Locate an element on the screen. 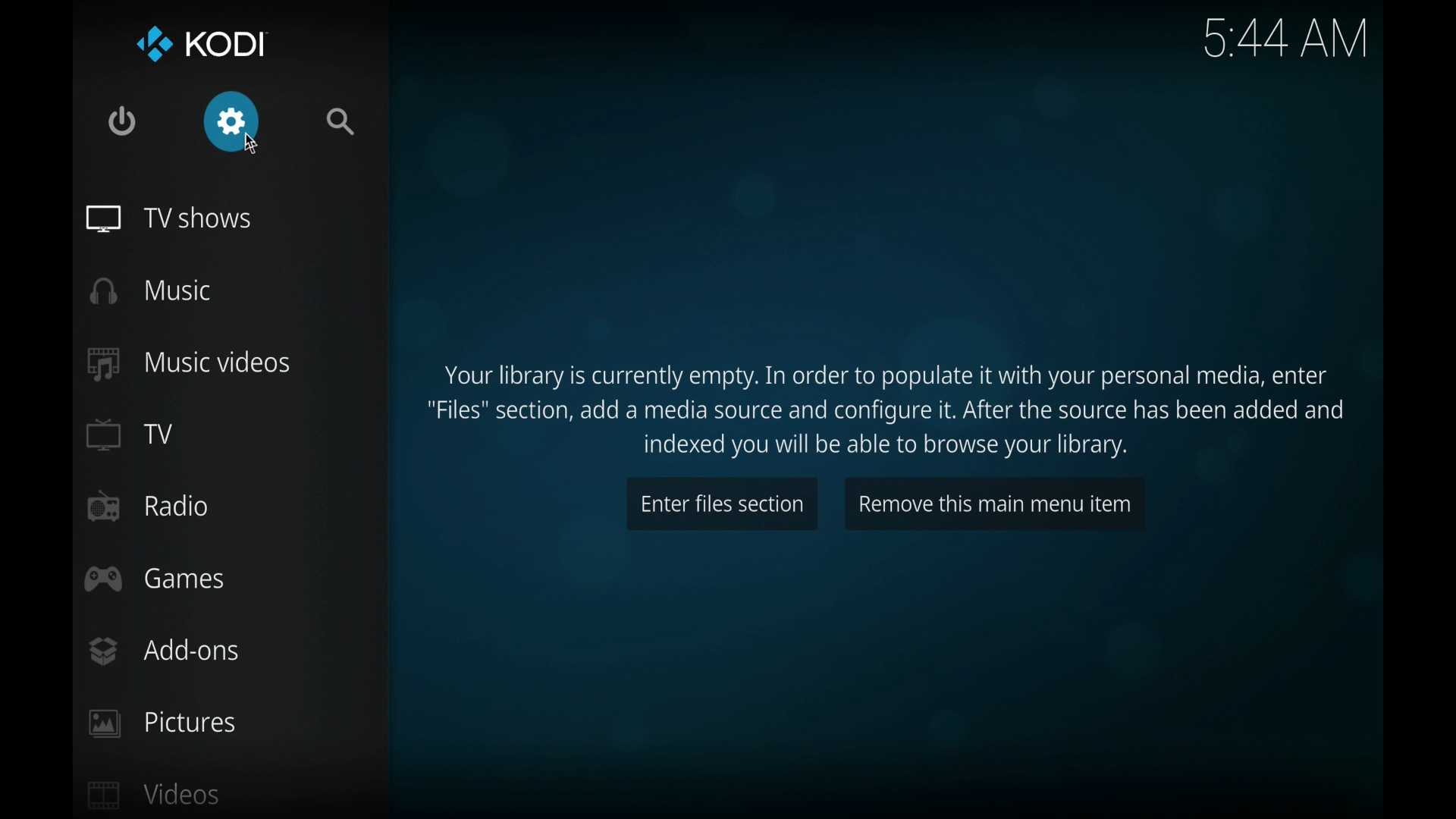 This screenshot has height=819, width=1456. remove this main menu item is located at coordinates (992, 504).